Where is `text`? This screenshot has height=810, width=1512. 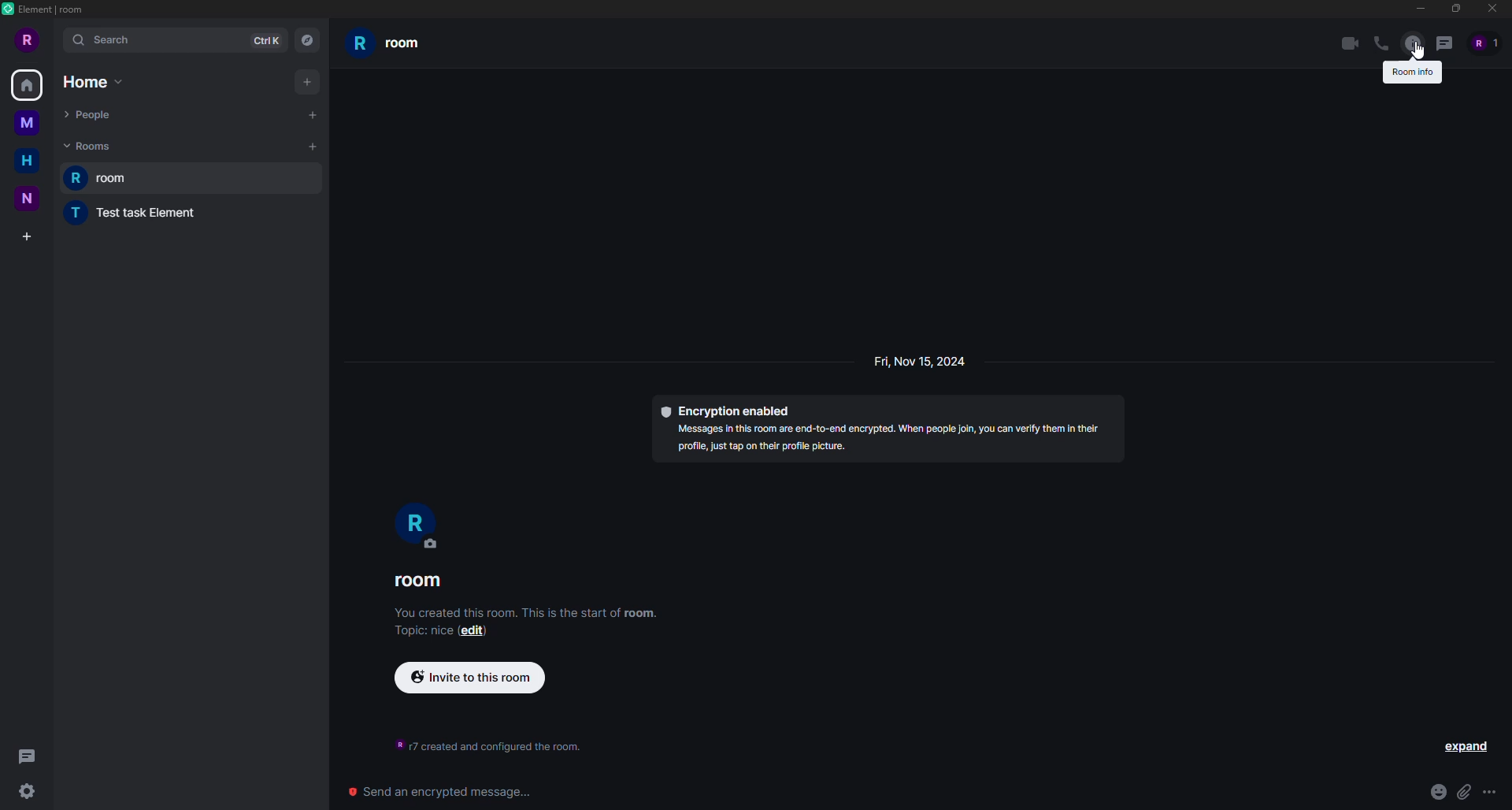 text is located at coordinates (481, 741).